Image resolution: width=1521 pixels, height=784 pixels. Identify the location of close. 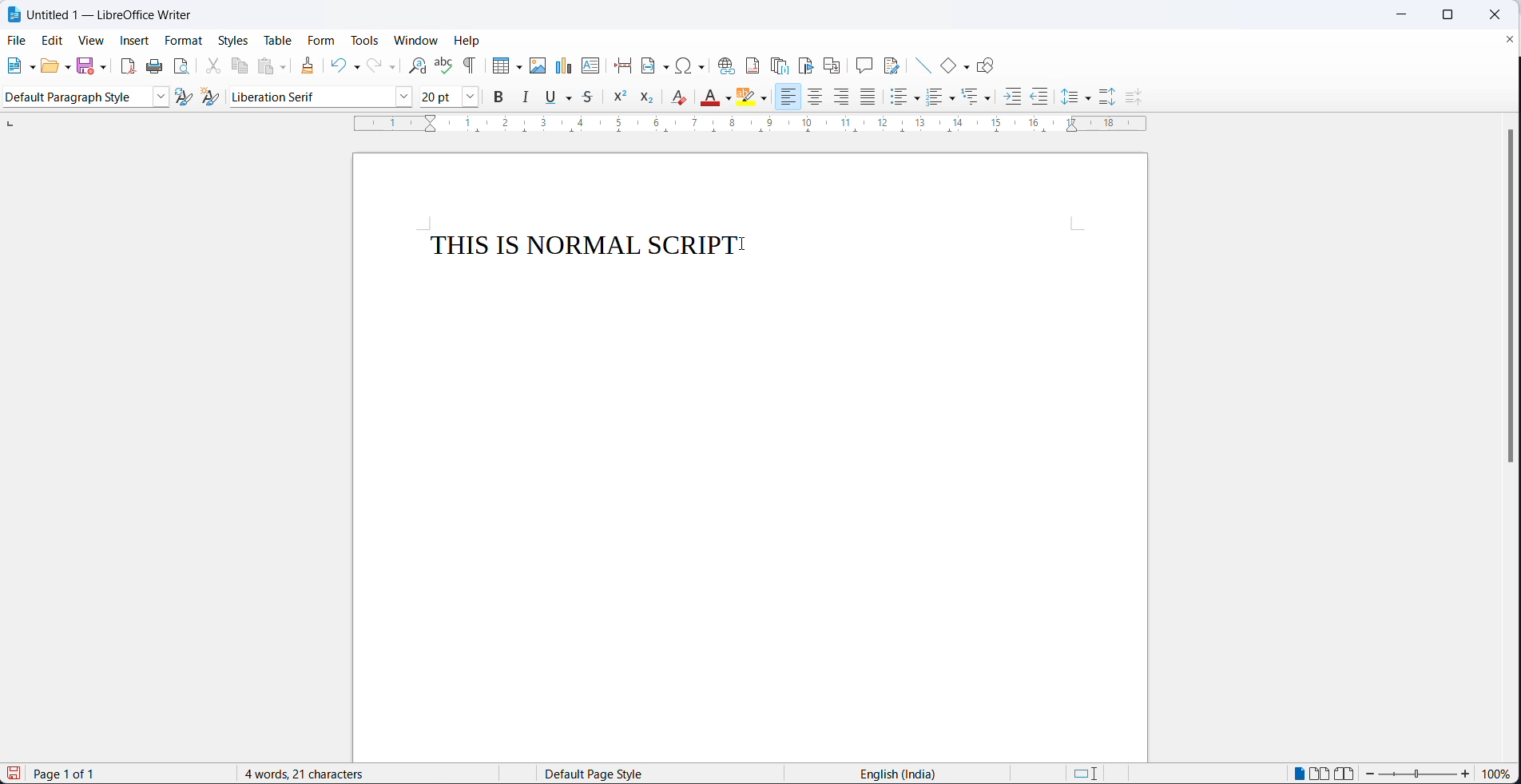
(1494, 16).